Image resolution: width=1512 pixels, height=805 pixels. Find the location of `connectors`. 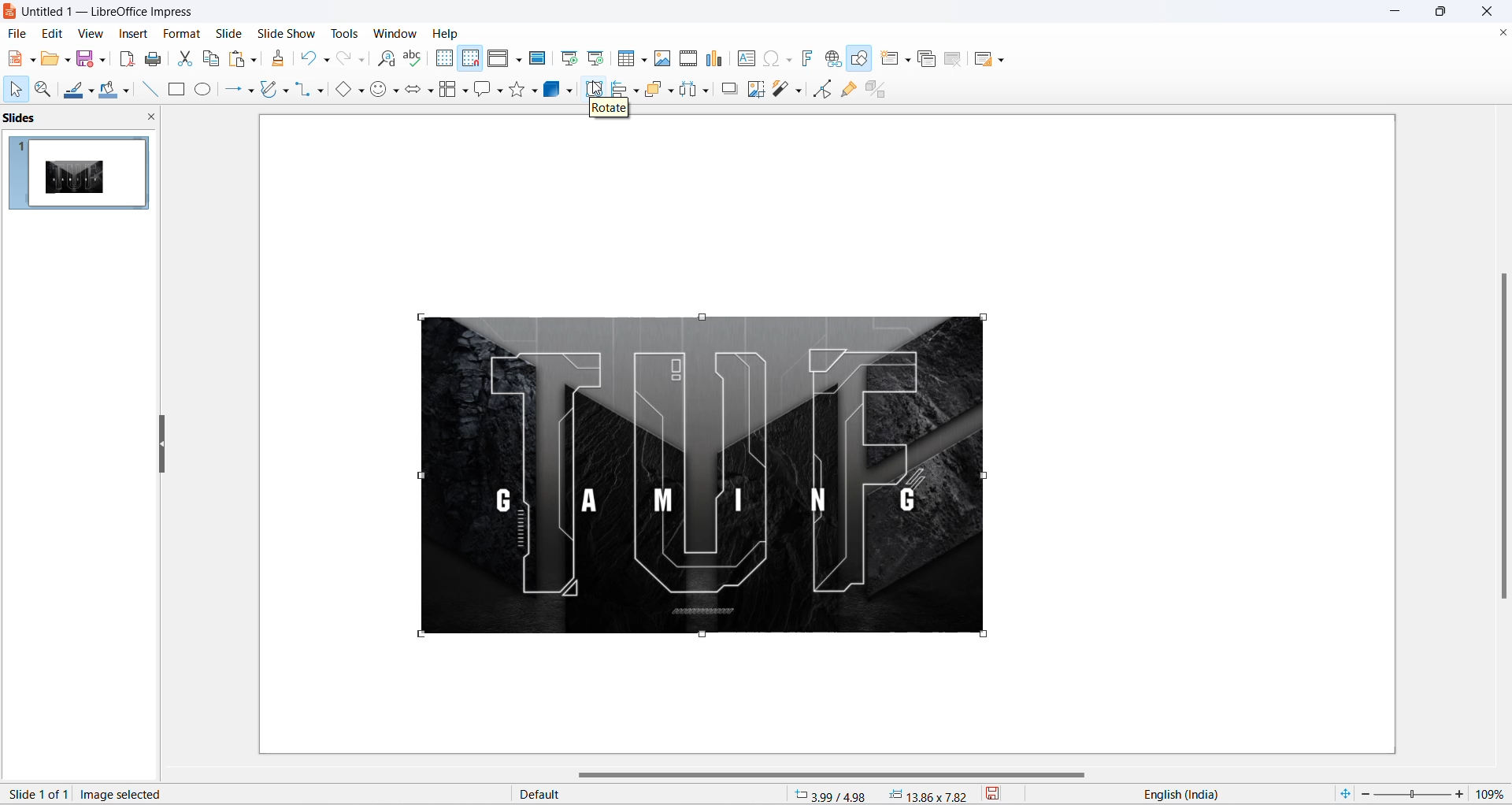

connectors is located at coordinates (303, 90).